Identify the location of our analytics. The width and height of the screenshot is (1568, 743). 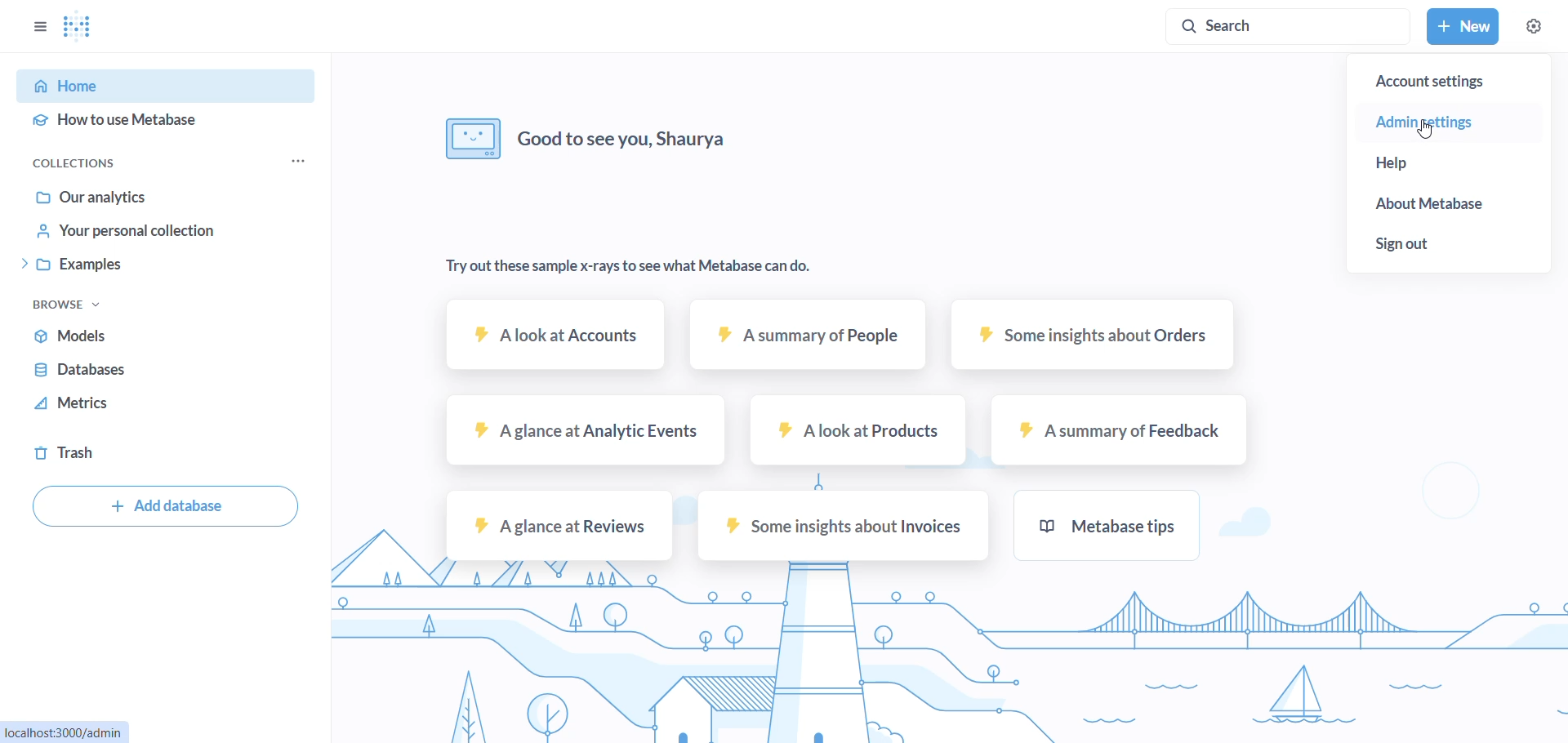
(124, 198).